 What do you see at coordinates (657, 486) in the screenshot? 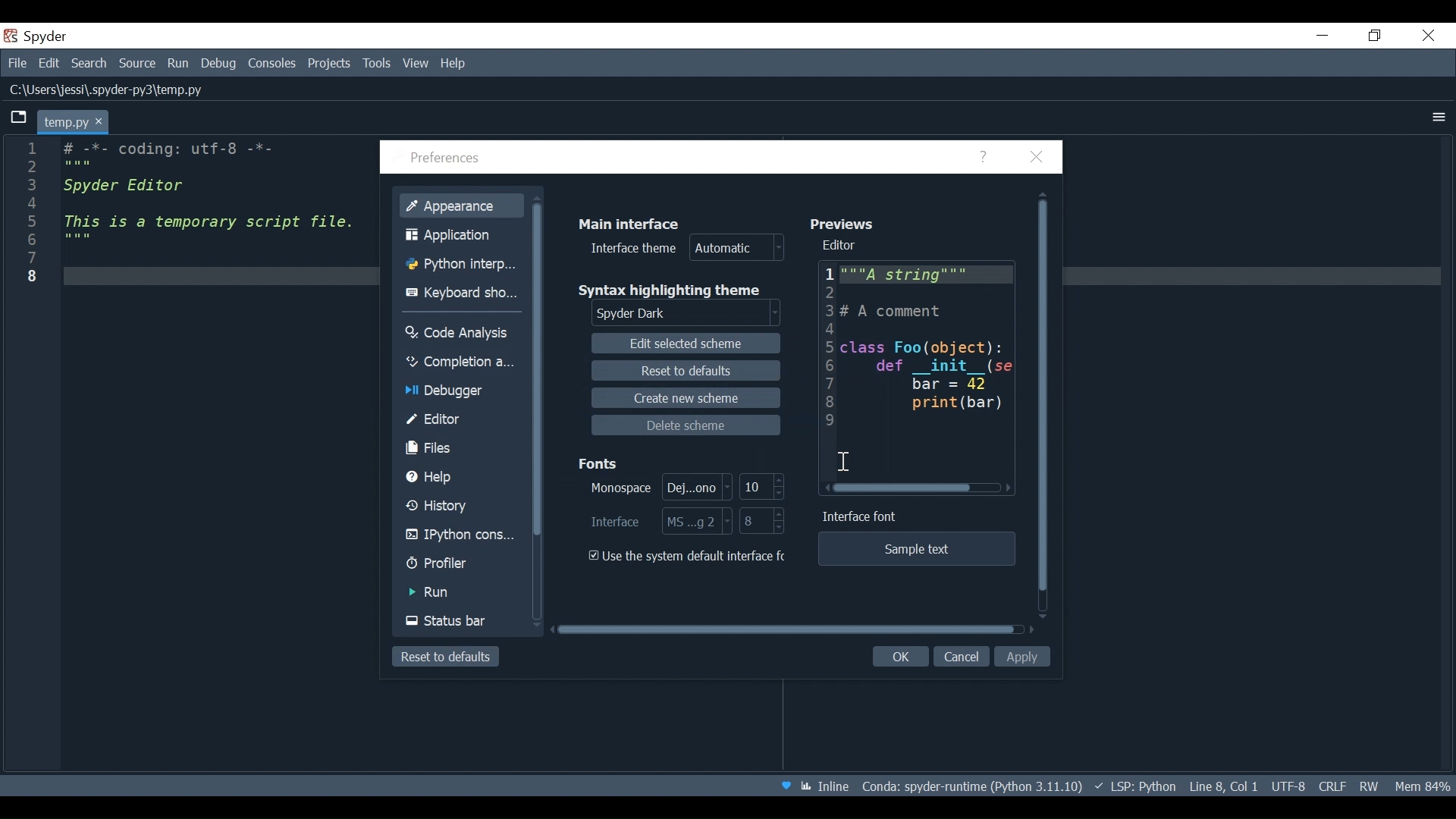
I see `` at bounding box center [657, 486].